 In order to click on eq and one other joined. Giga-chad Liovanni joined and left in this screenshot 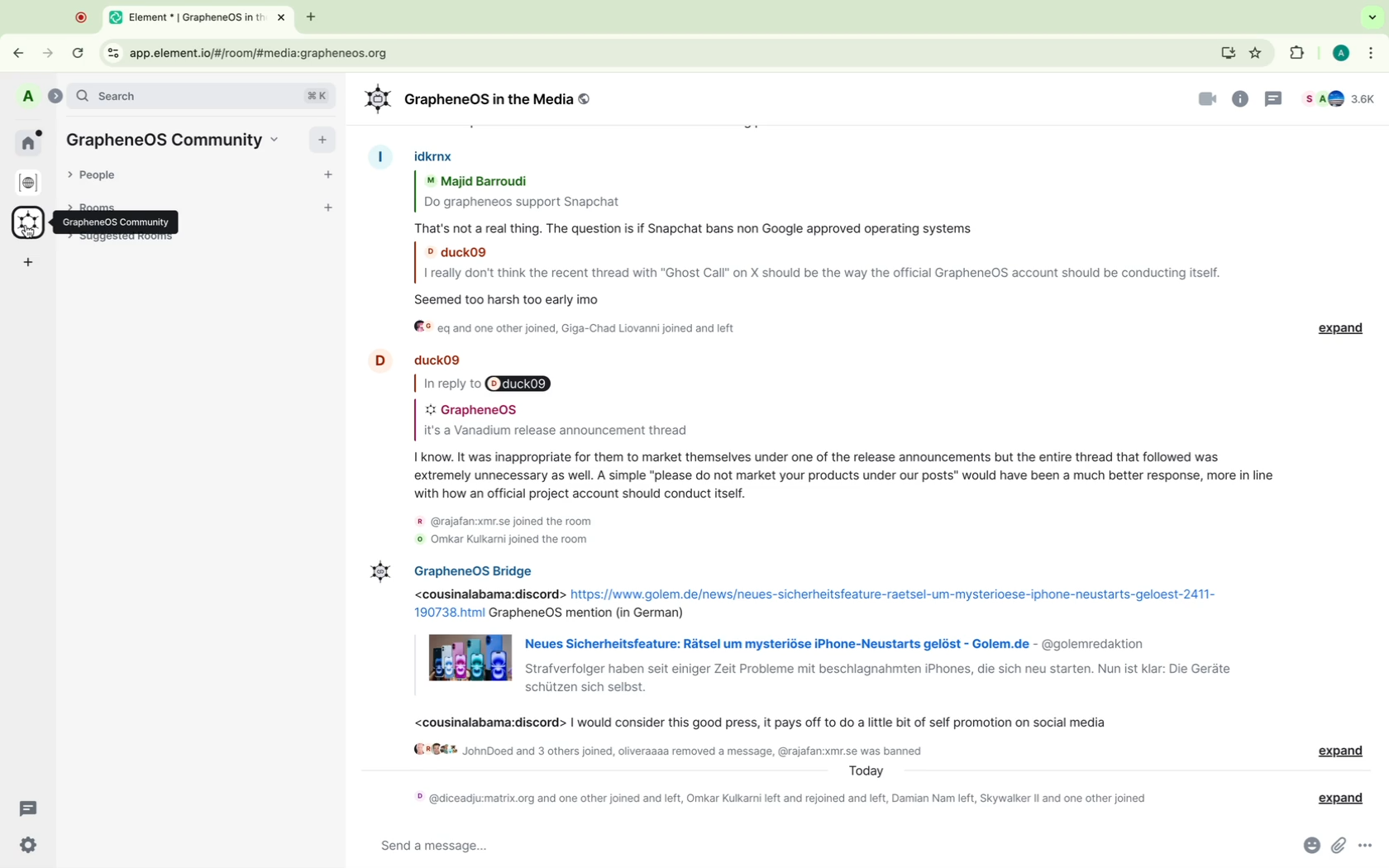, I will do `click(578, 329)`.